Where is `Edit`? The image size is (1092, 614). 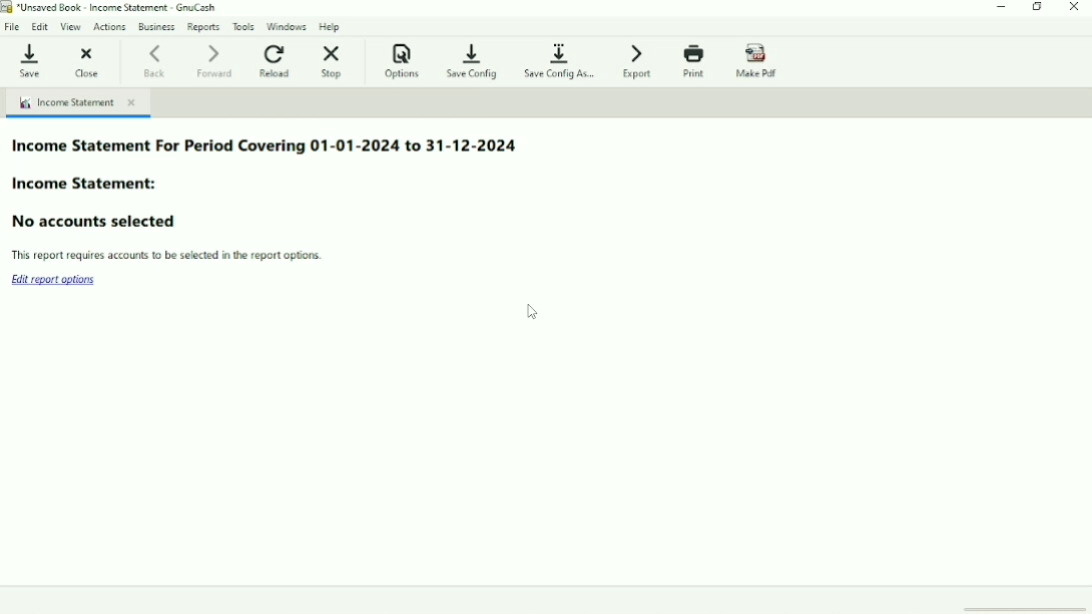 Edit is located at coordinates (40, 25).